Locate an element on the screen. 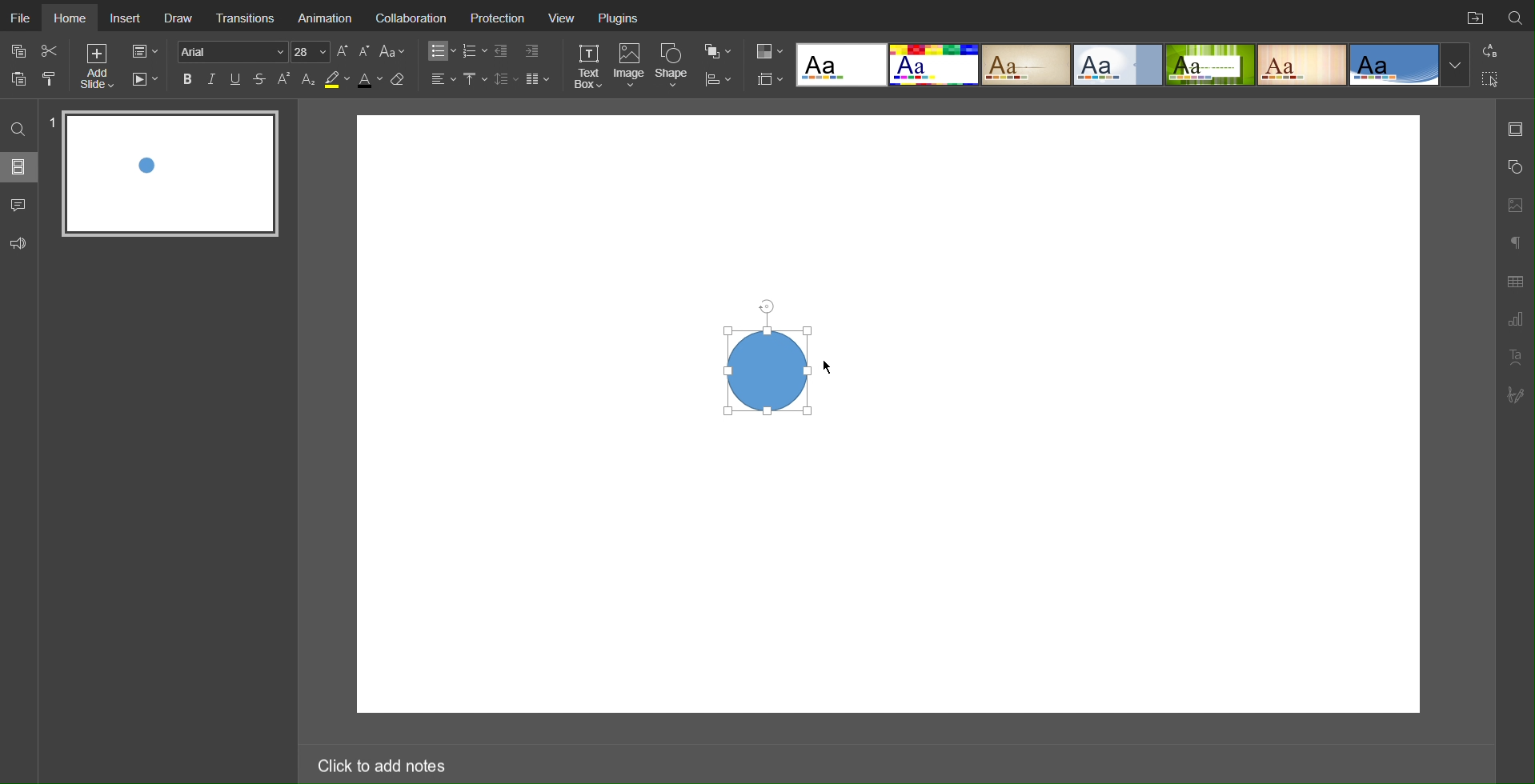  paste is located at coordinates (21, 78).